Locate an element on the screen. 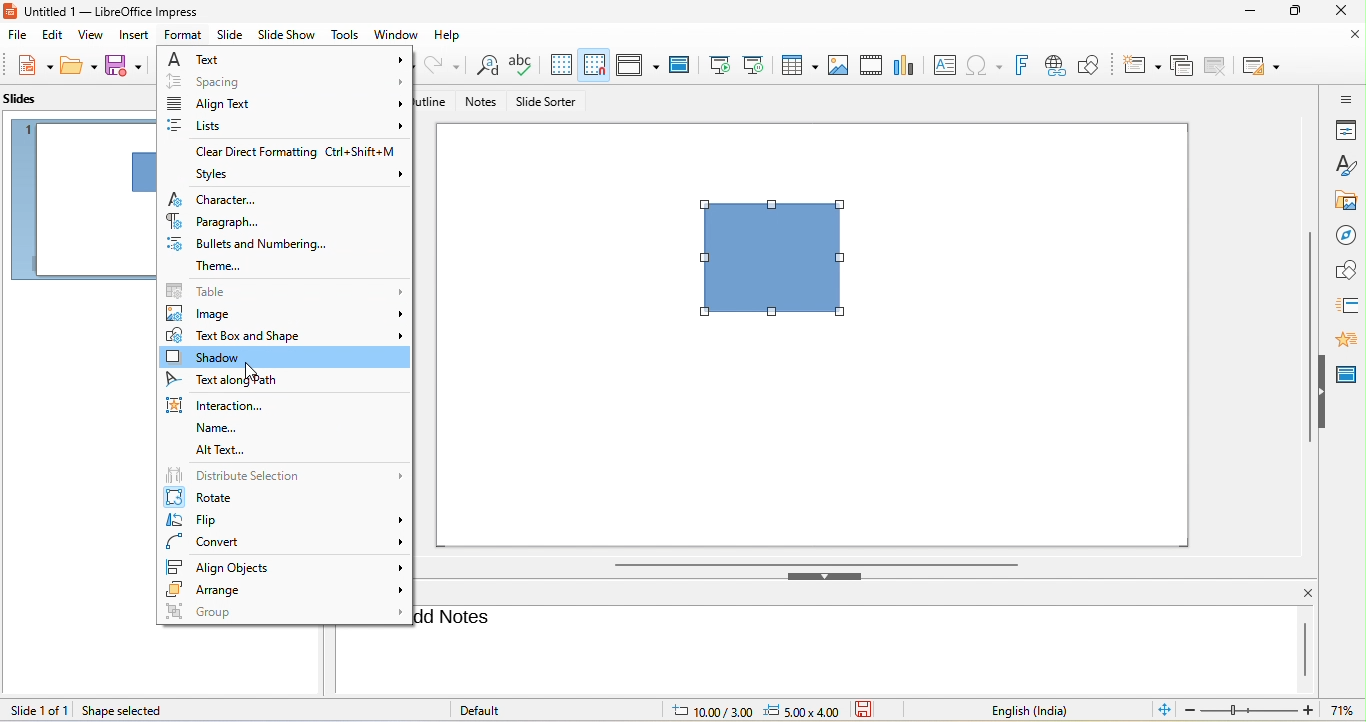 The height and width of the screenshot is (722, 1366). clear direct formatting is located at coordinates (294, 152).